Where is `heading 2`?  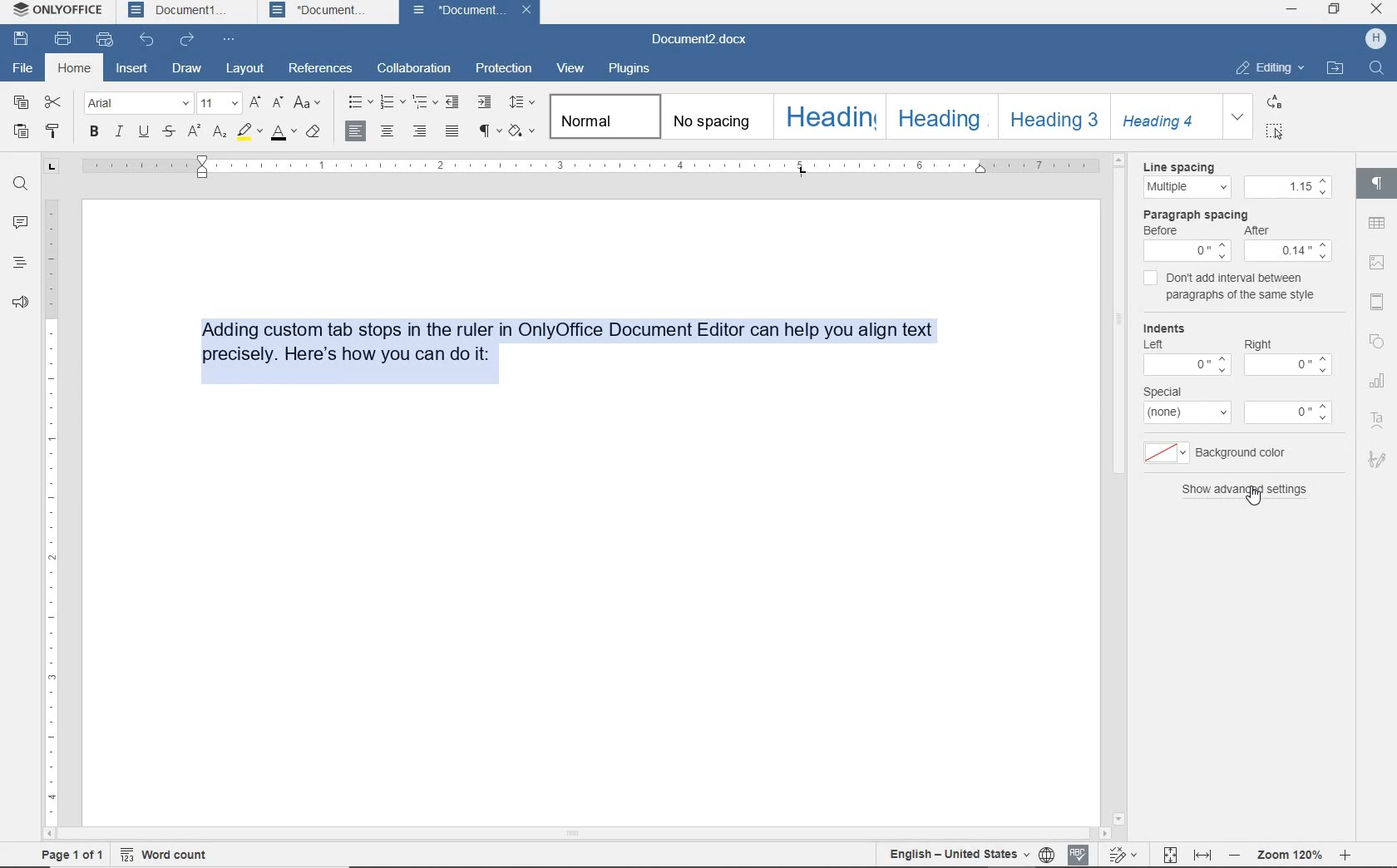
heading 2 is located at coordinates (940, 117).